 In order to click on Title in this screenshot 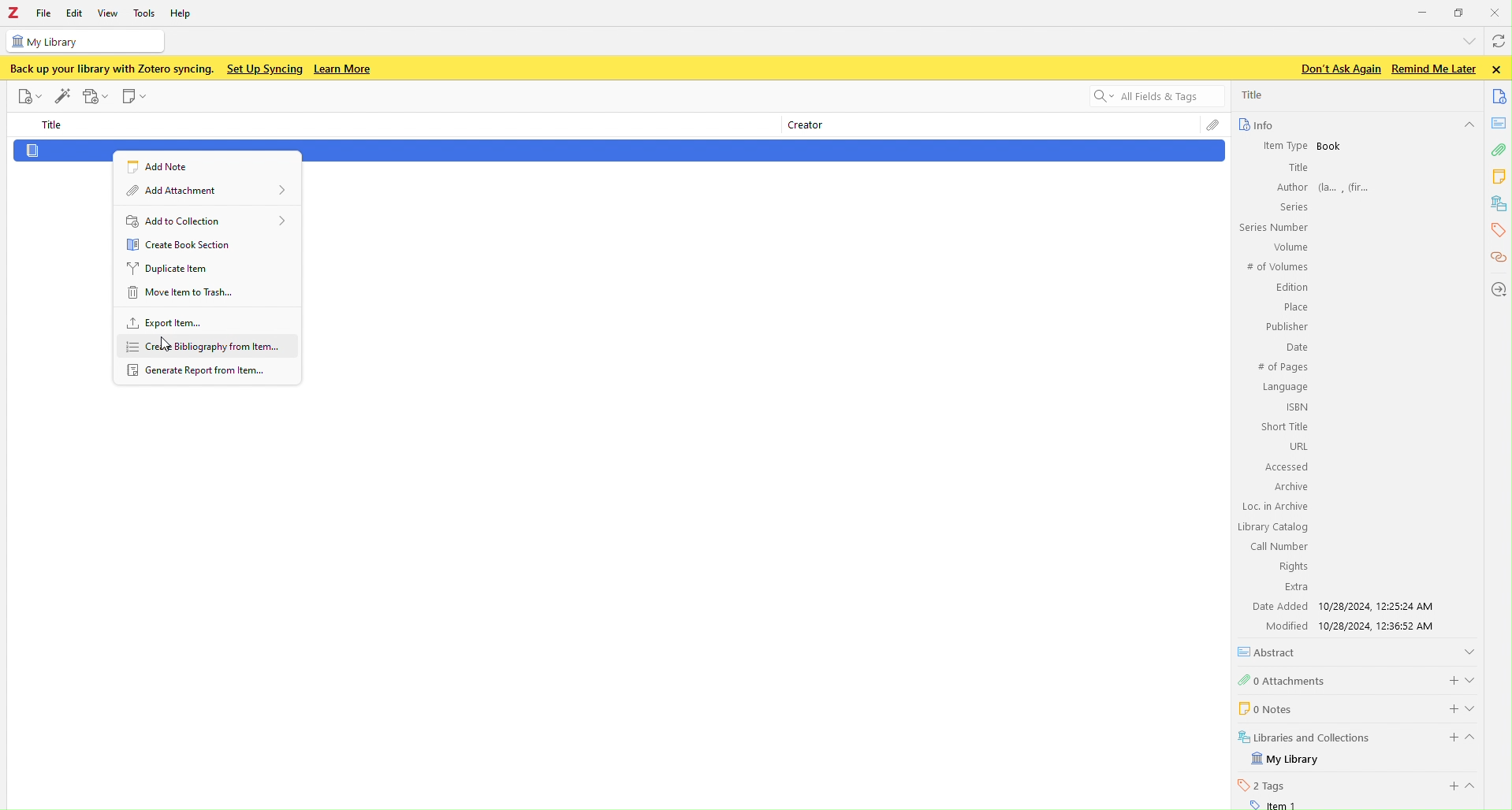, I will do `click(54, 125)`.